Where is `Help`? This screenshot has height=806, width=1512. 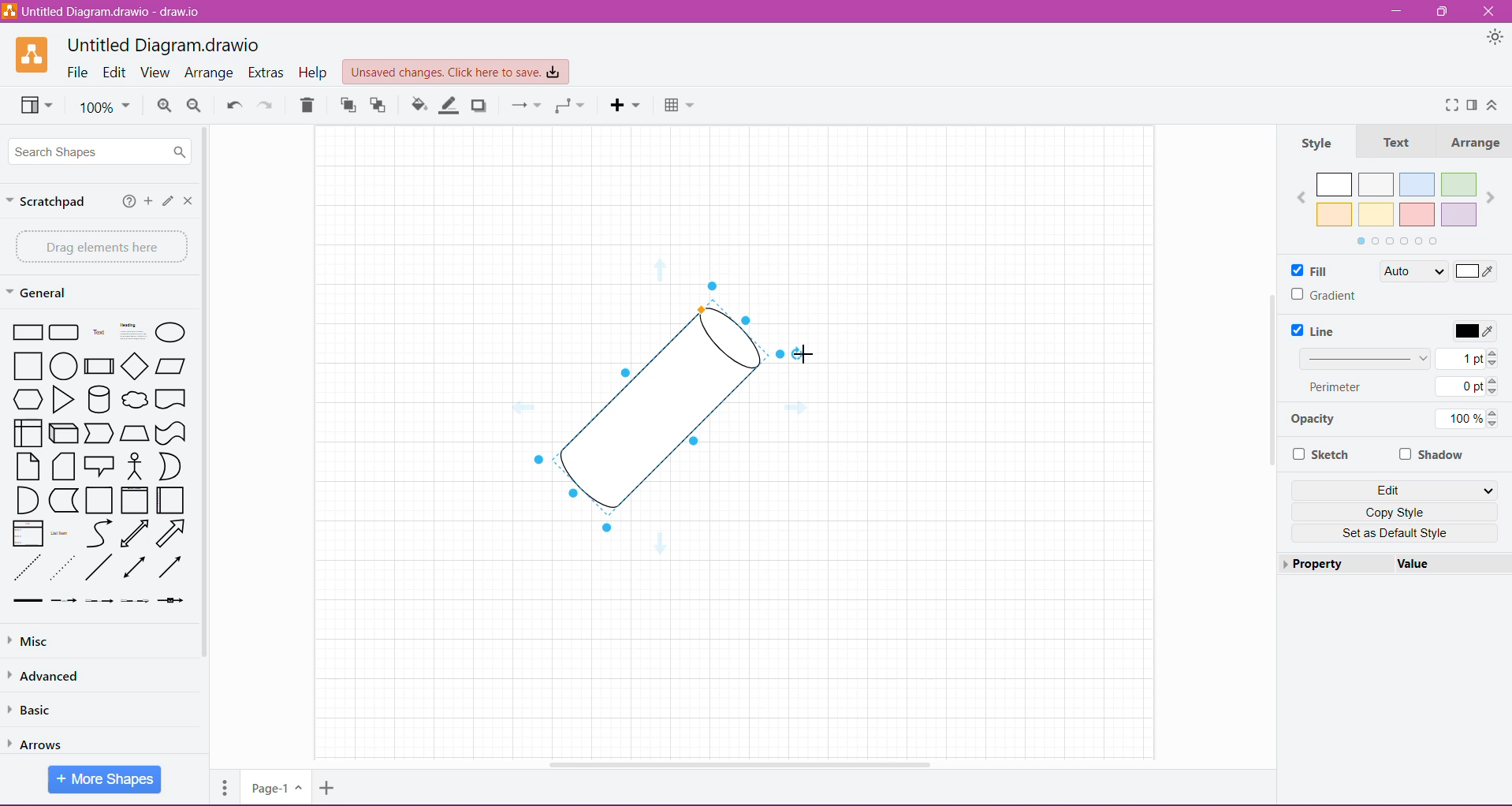
Help is located at coordinates (314, 73).